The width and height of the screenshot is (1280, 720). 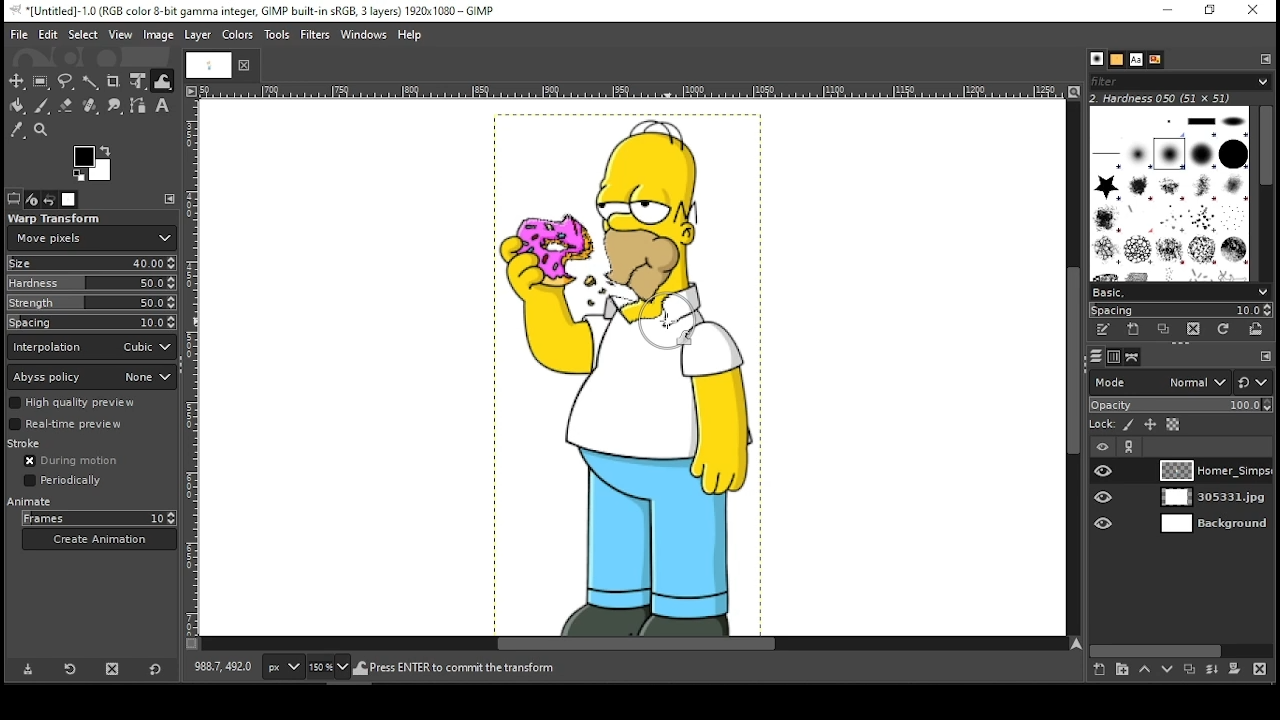 I want to click on layer, so click(x=197, y=35).